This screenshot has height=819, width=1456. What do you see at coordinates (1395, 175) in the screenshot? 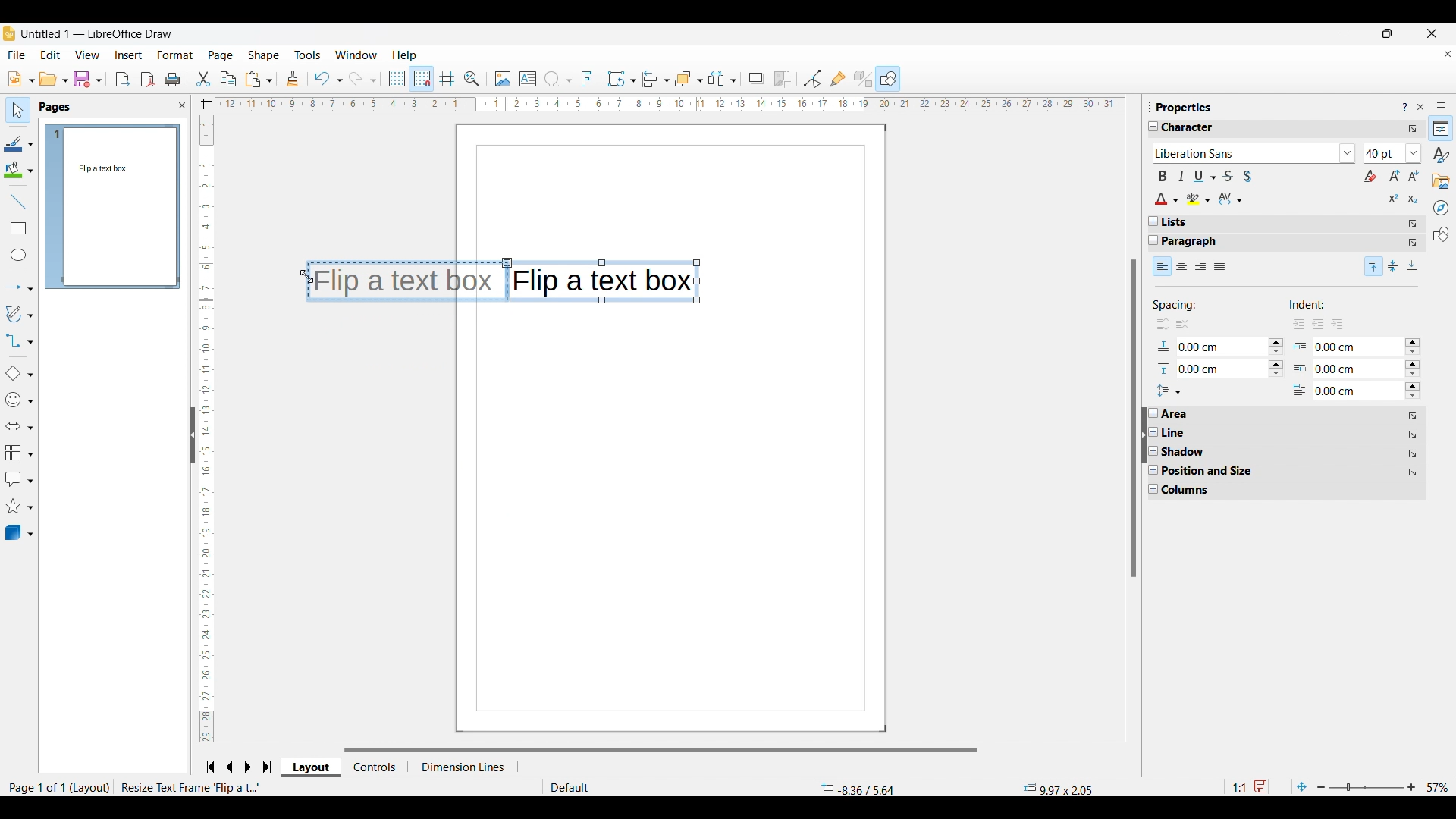
I see `Increase font size` at bounding box center [1395, 175].